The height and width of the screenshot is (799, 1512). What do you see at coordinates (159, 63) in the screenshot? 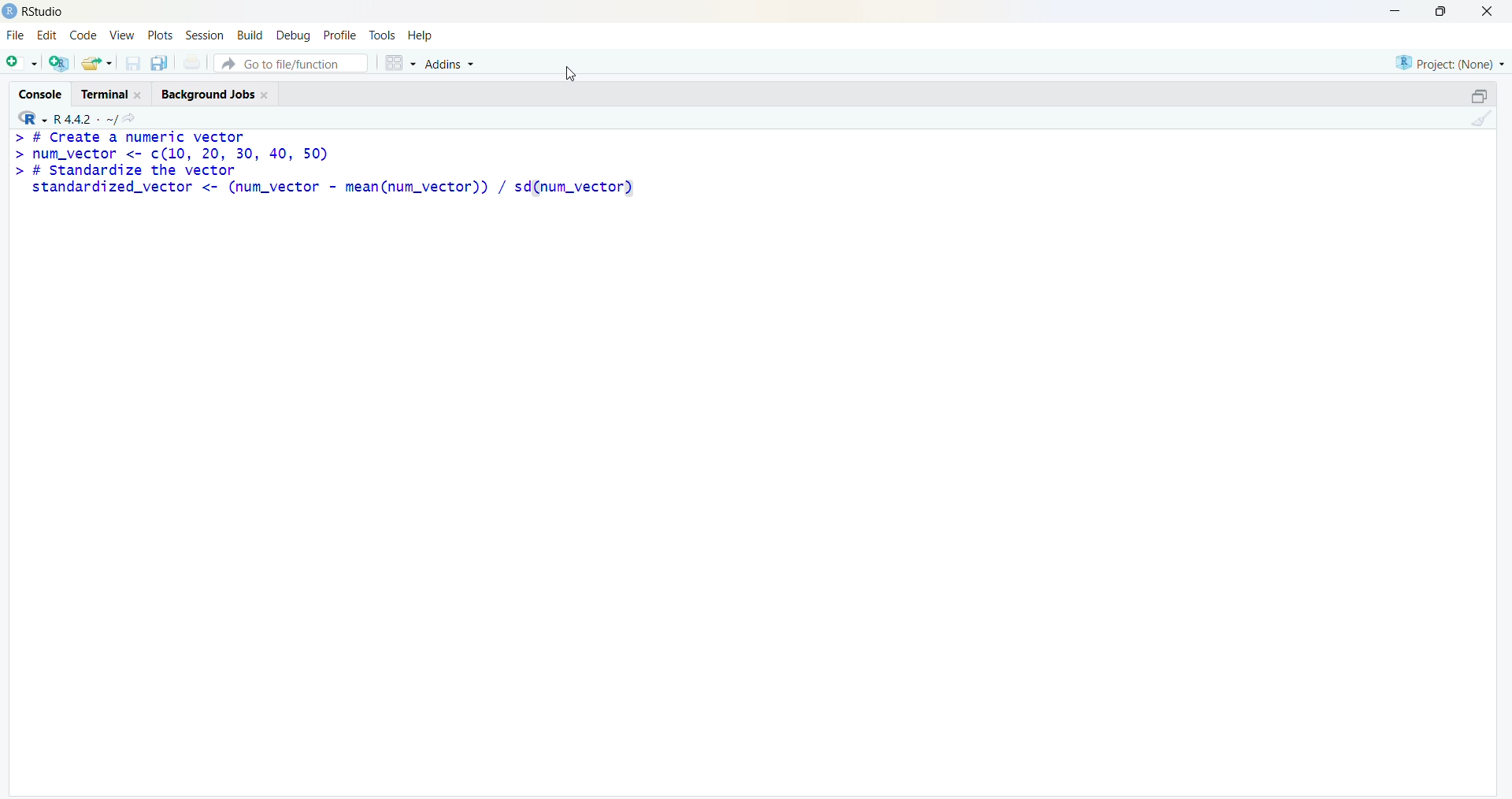
I see `copy` at bounding box center [159, 63].